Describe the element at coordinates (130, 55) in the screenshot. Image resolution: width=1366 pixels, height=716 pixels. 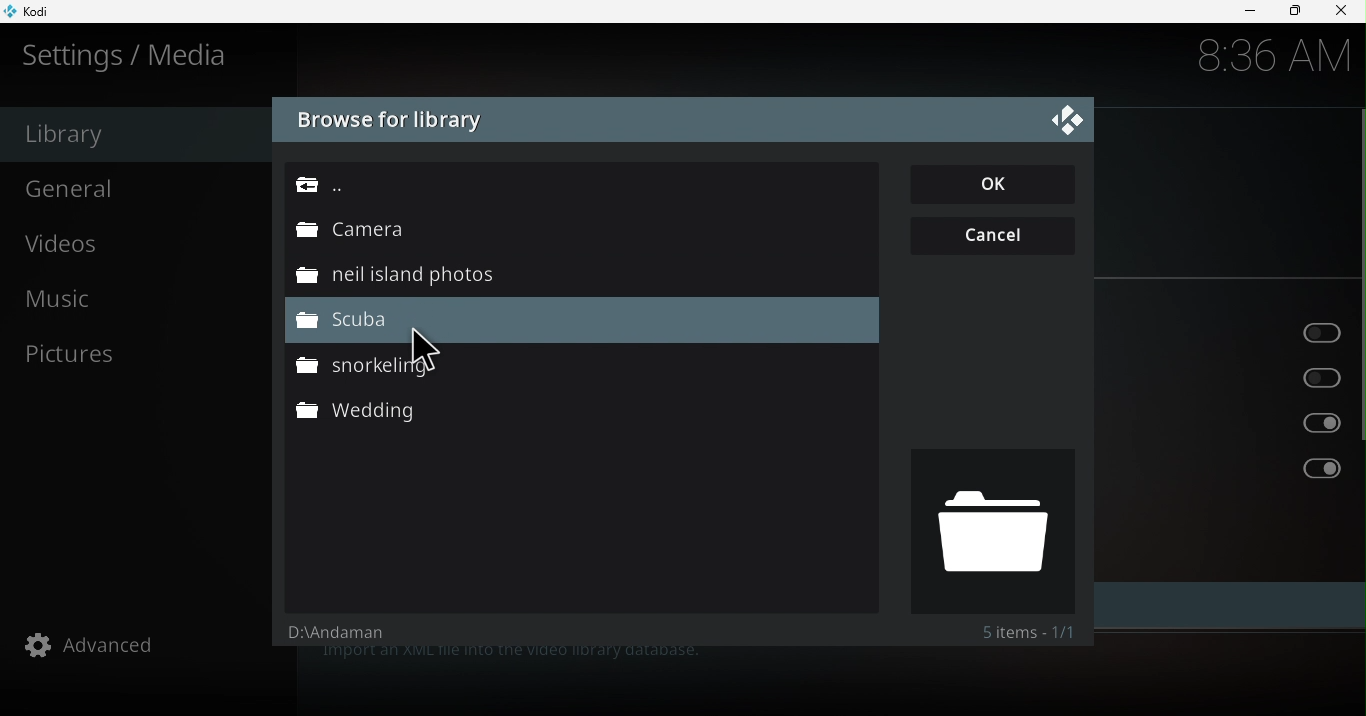
I see `Settings/media` at that location.